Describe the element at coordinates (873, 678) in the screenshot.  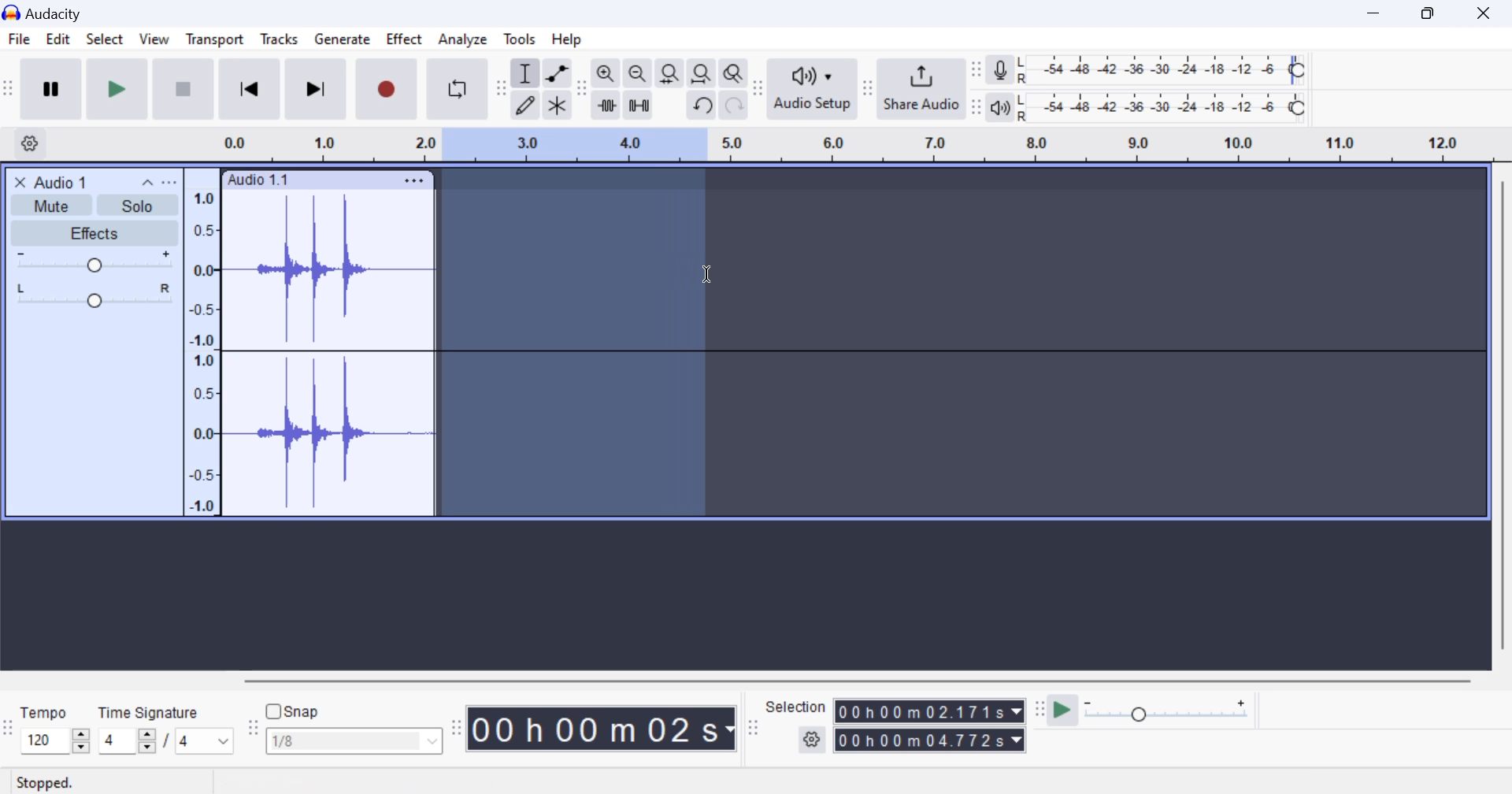
I see `horizontal scrollbar` at that location.